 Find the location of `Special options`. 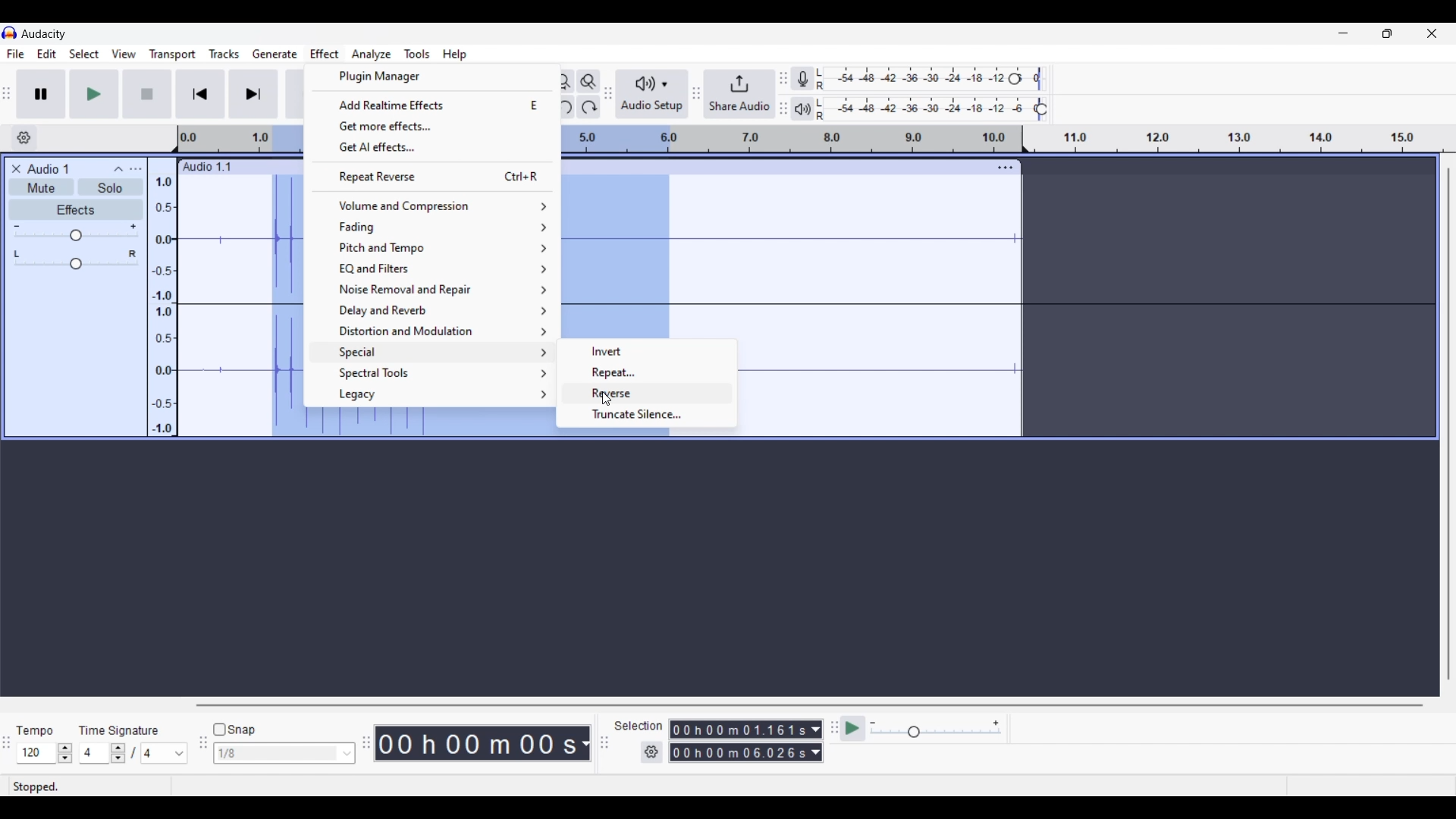

Special options is located at coordinates (432, 353).